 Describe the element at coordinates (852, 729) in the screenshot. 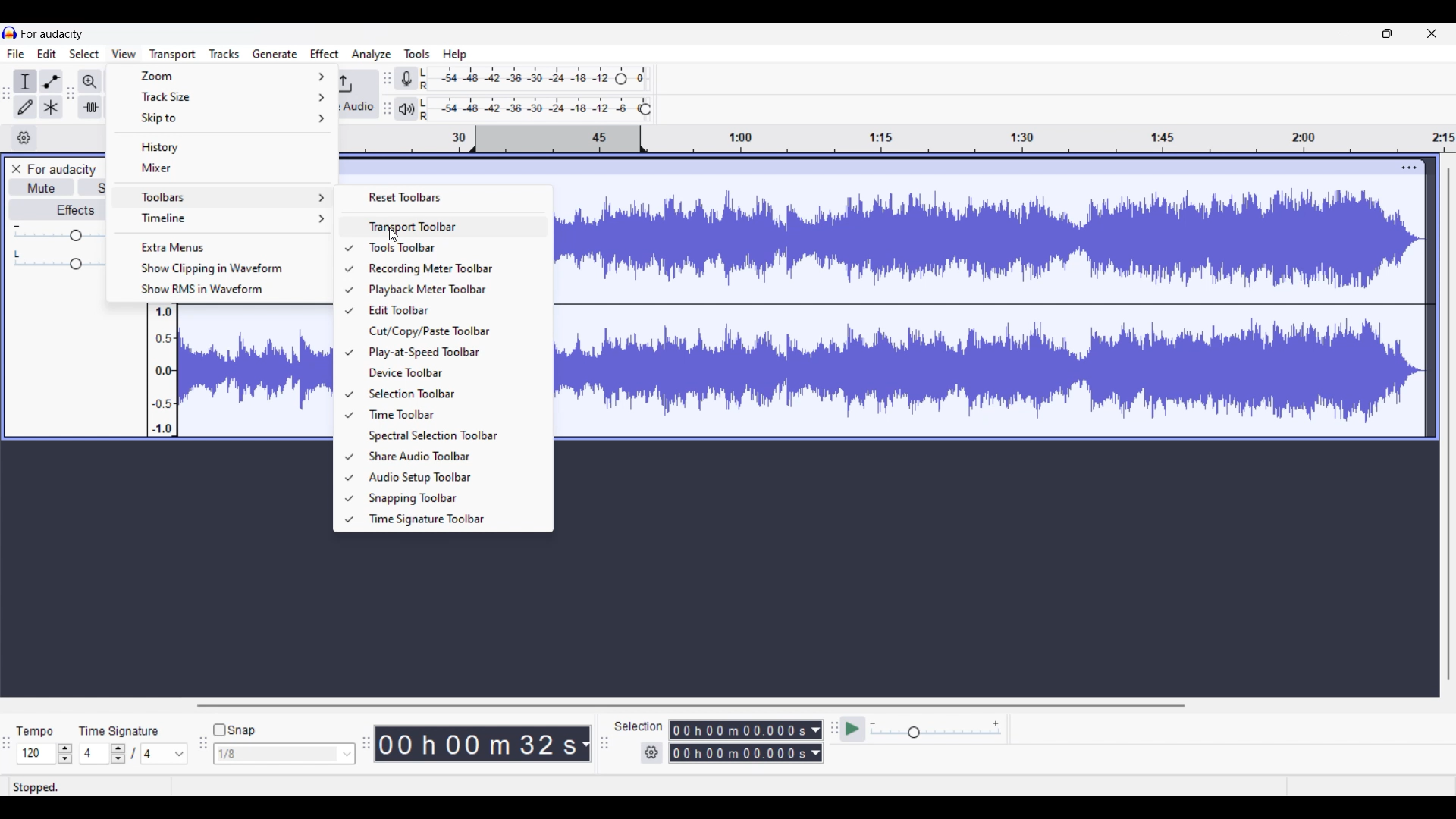

I see `Play at speed/Play at speed once` at that location.